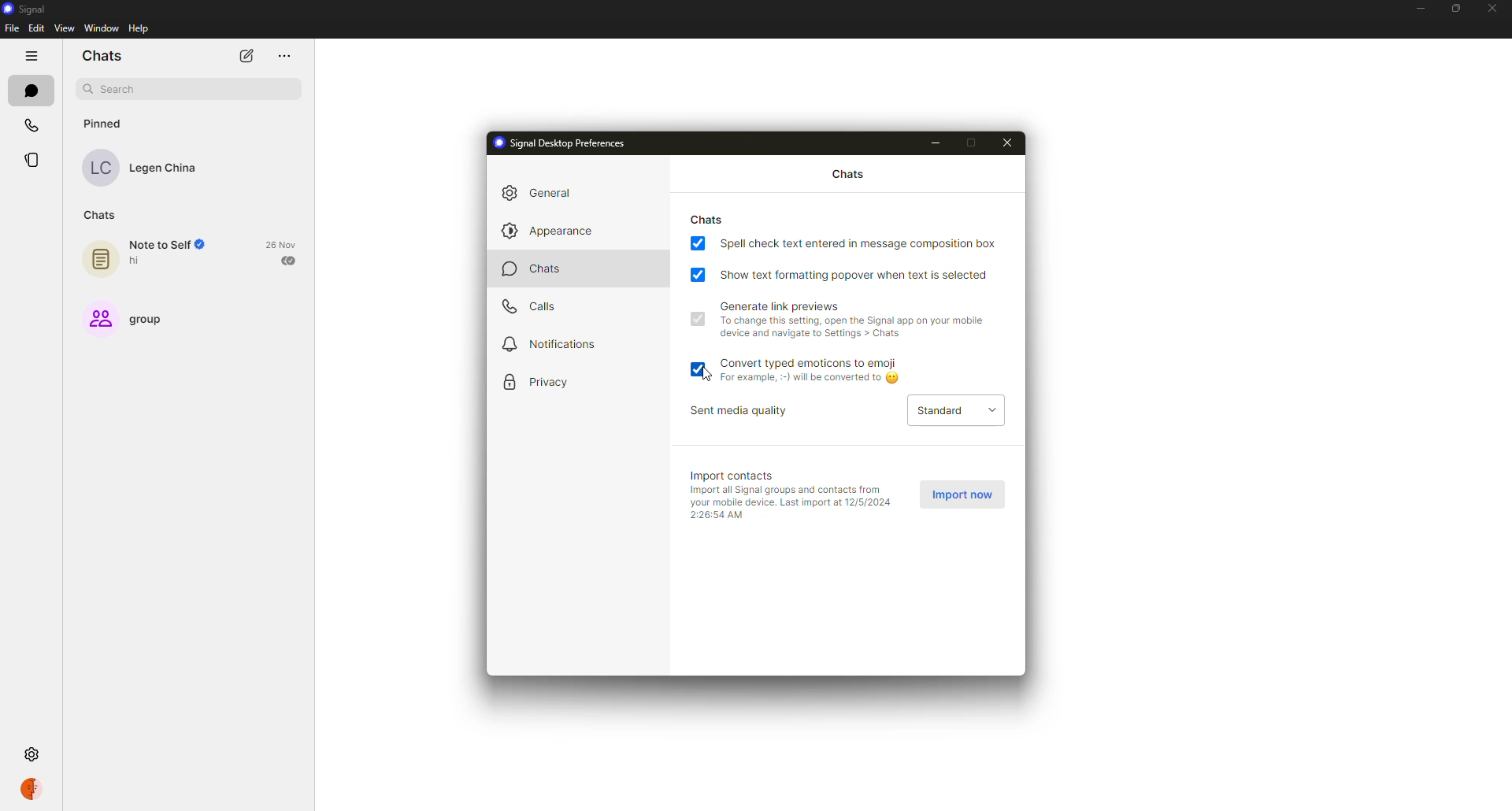  What do you see at coordinates (113, 88) in the screenshot?
I see `search` at bounding box center [113, 88].